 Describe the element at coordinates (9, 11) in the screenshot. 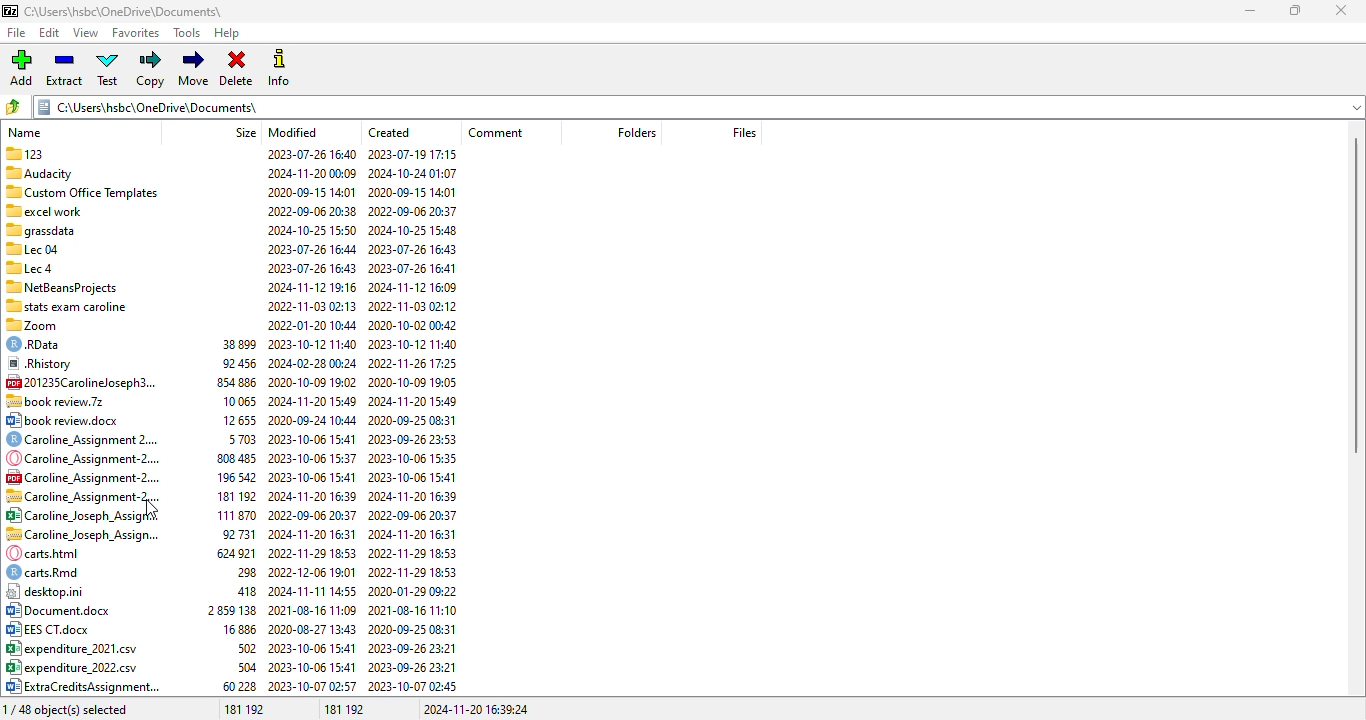

I see `logo` at that location.